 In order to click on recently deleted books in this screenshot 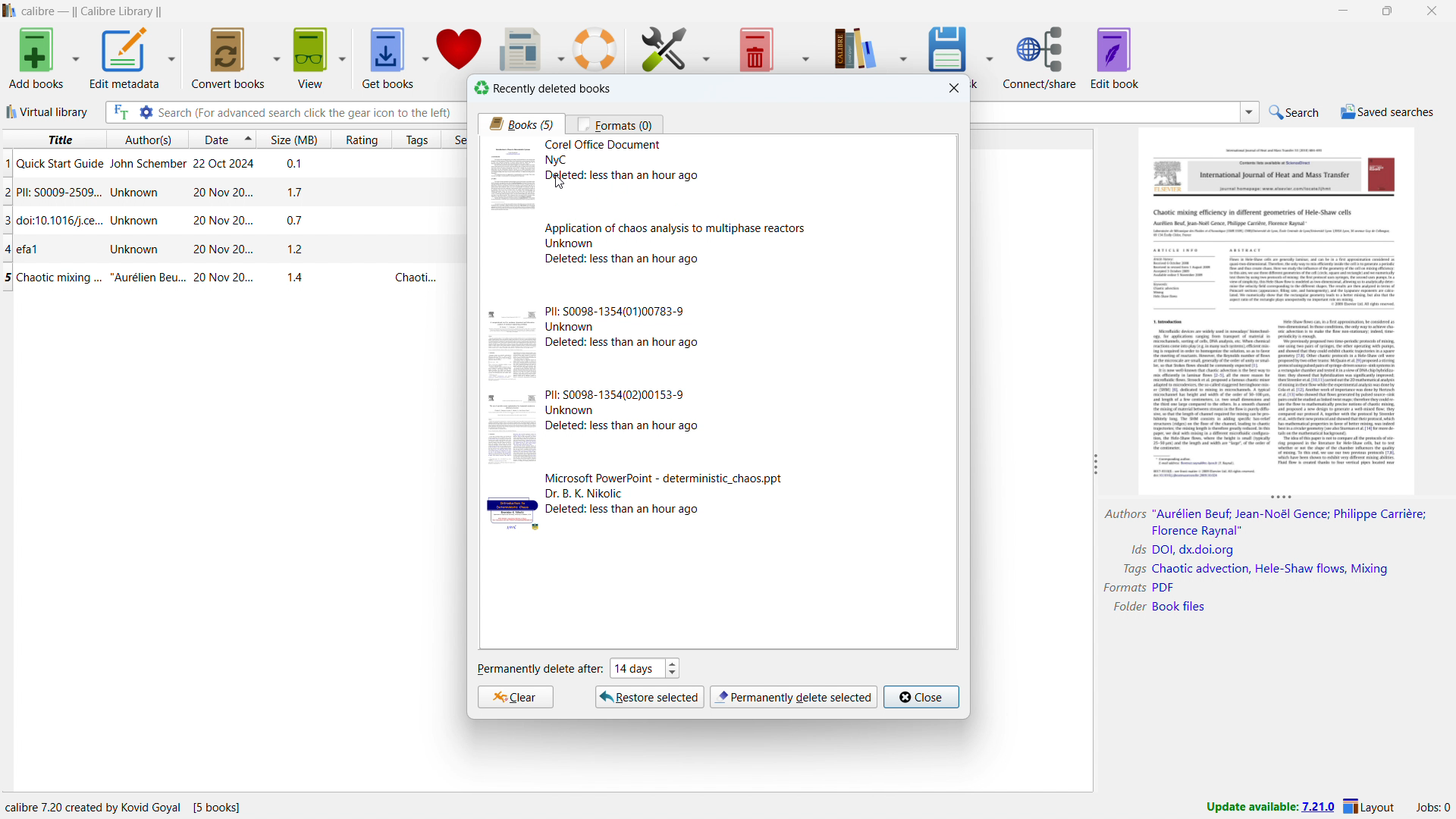, I will do `click(542, 88)`.